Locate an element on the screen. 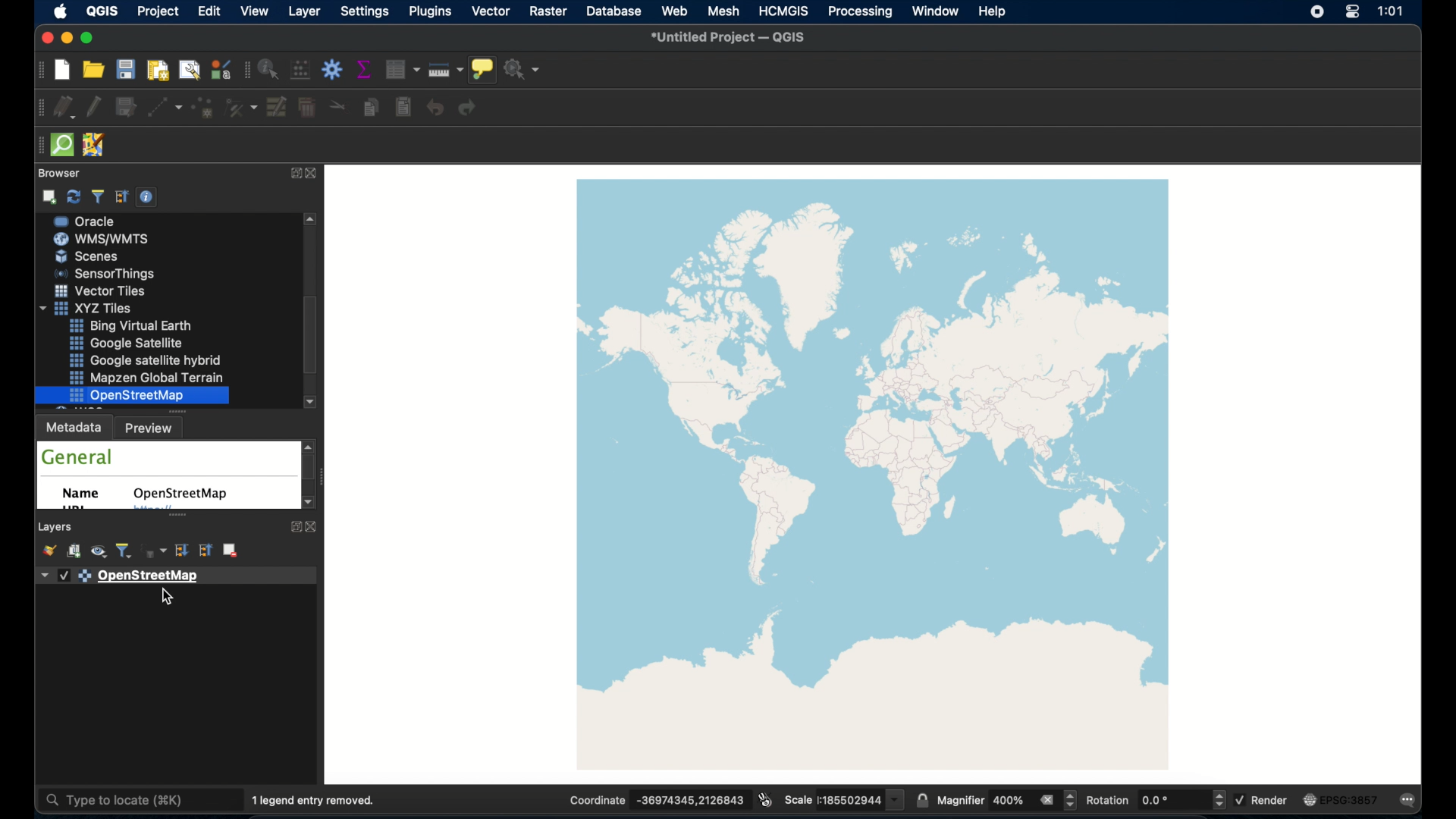 This screenshot has width=1456, height=819. control center is located at coordinates (1352, 13).